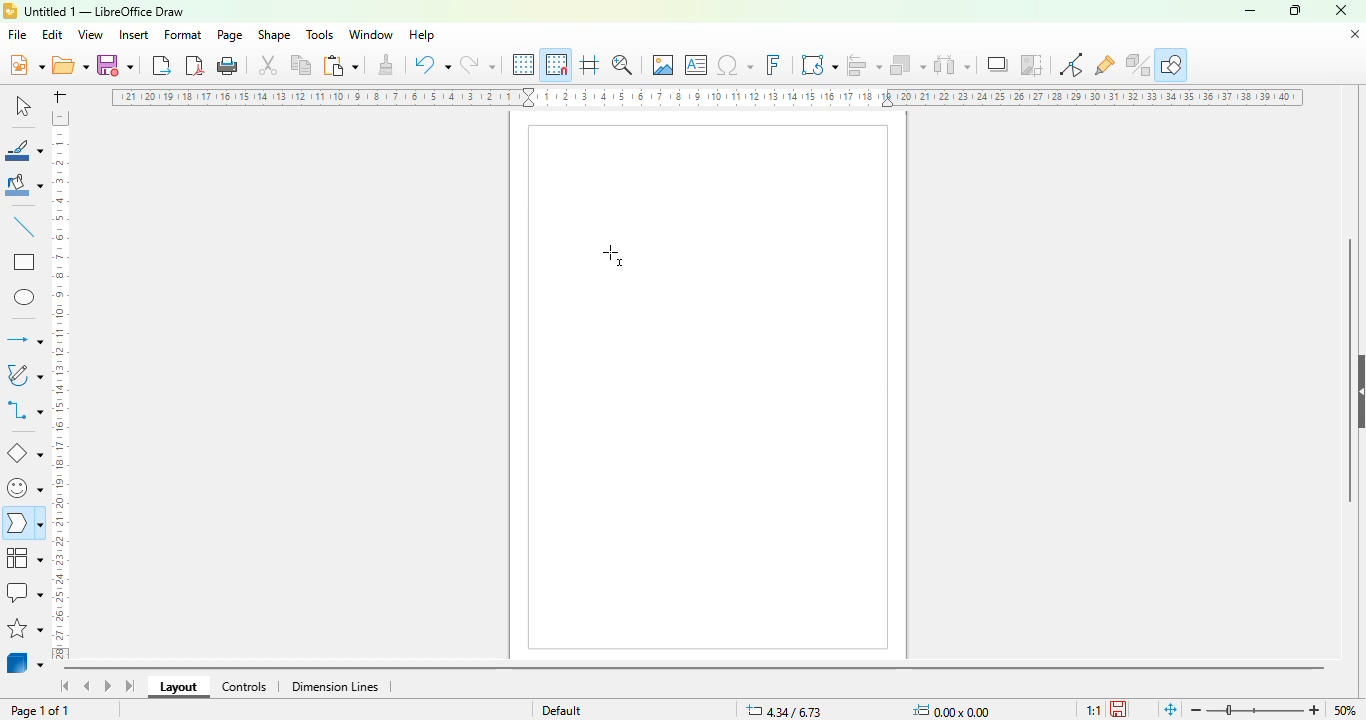  Describe the element at coordinates (23, 489) in the screenshot. I see `symbol shapes` at that location.